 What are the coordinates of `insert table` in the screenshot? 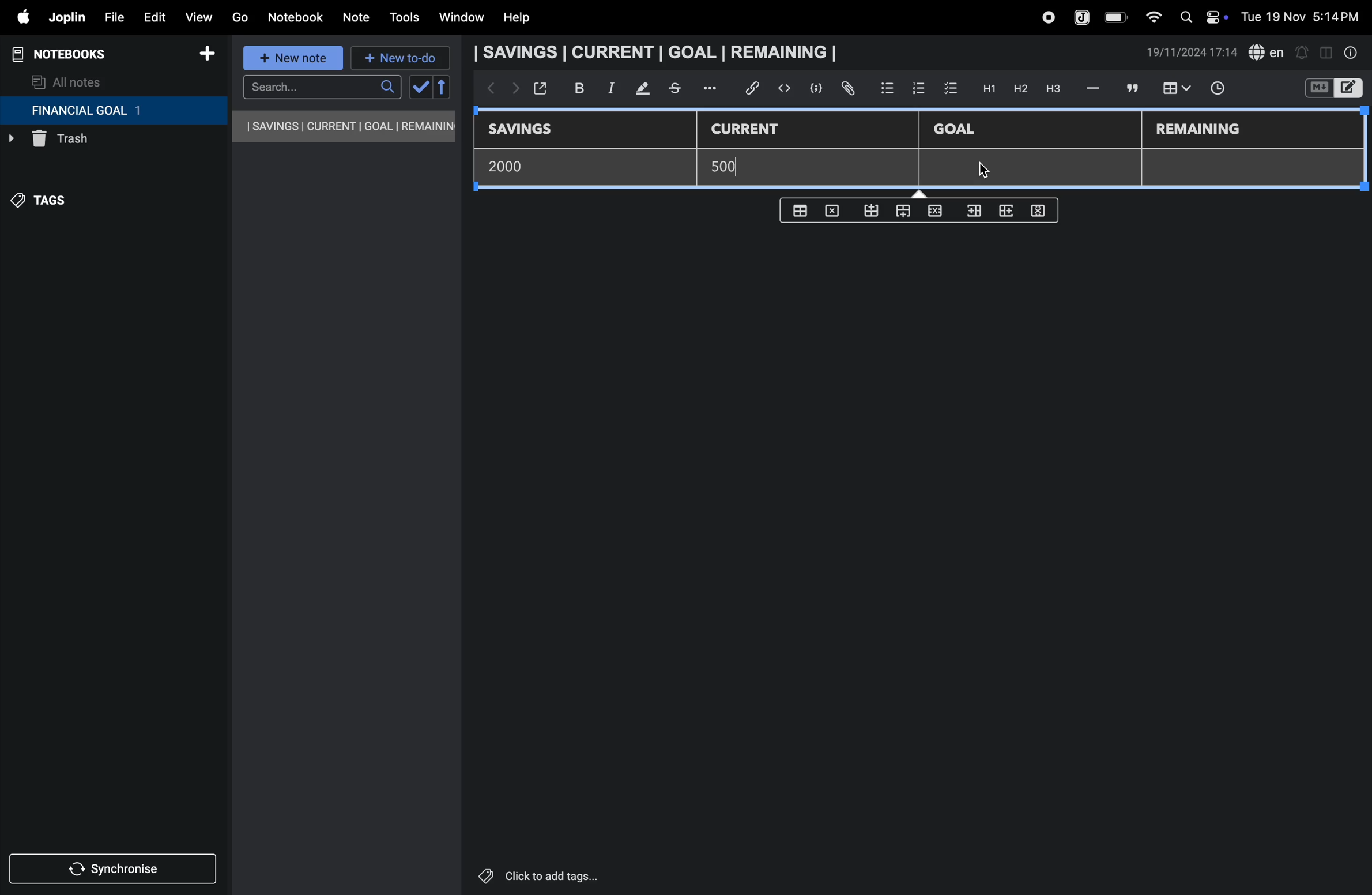 It's located at (1174, 89).